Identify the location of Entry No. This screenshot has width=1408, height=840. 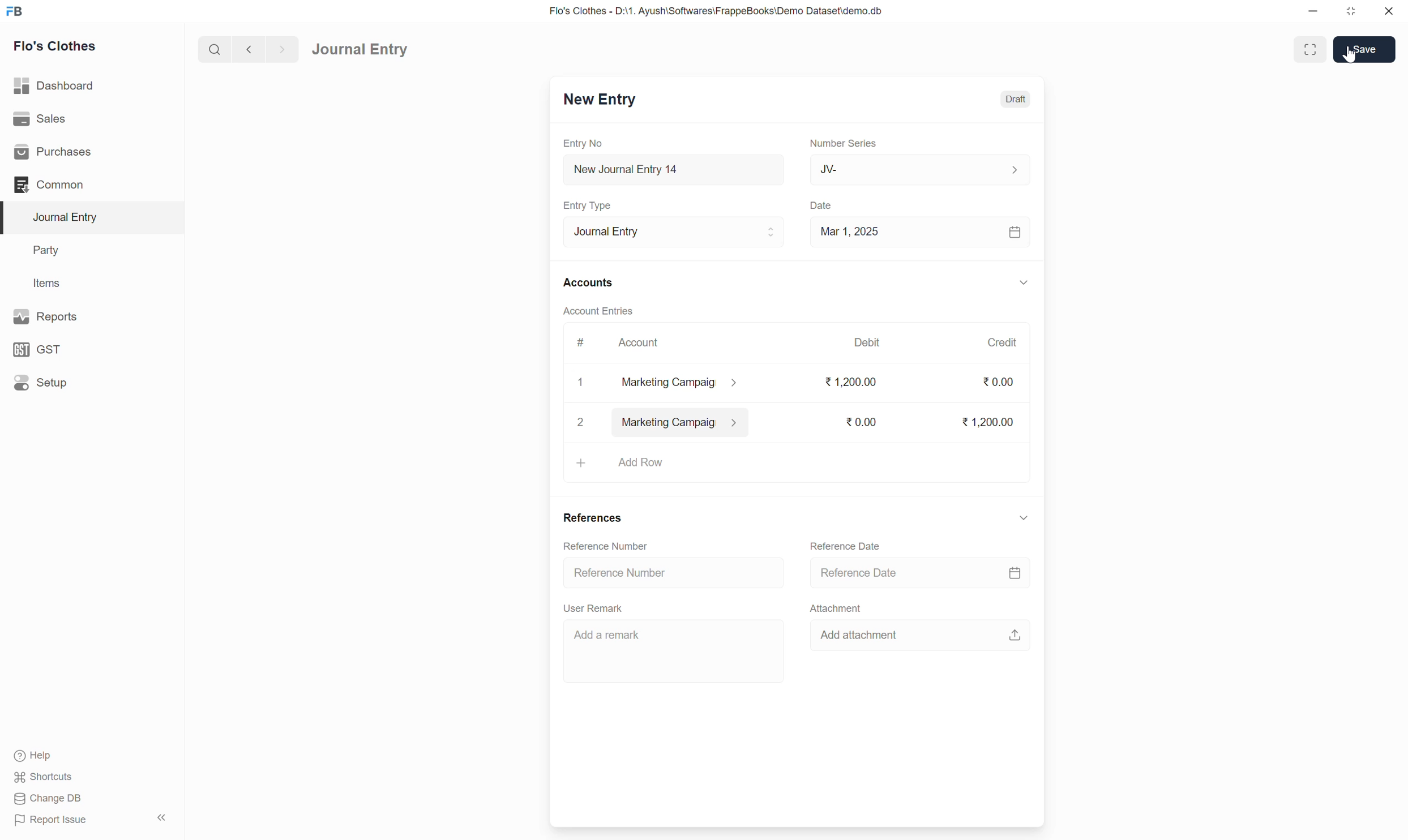
(585, 143).